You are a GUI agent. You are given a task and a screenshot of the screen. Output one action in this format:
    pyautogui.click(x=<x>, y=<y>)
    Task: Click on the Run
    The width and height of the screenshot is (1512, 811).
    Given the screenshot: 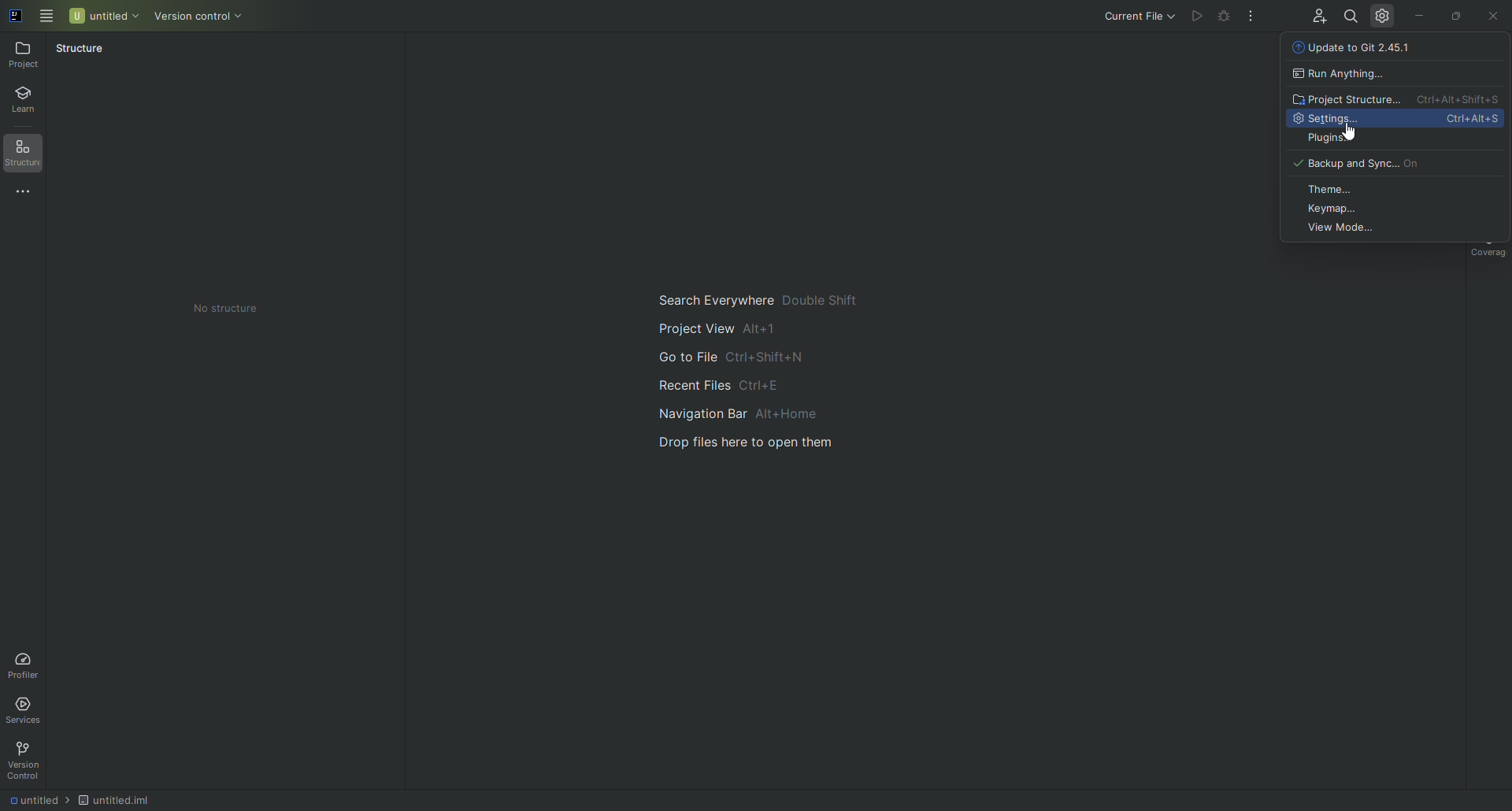 What is the action you would take?
    pyautogui.click(x=1195, y=17)
    